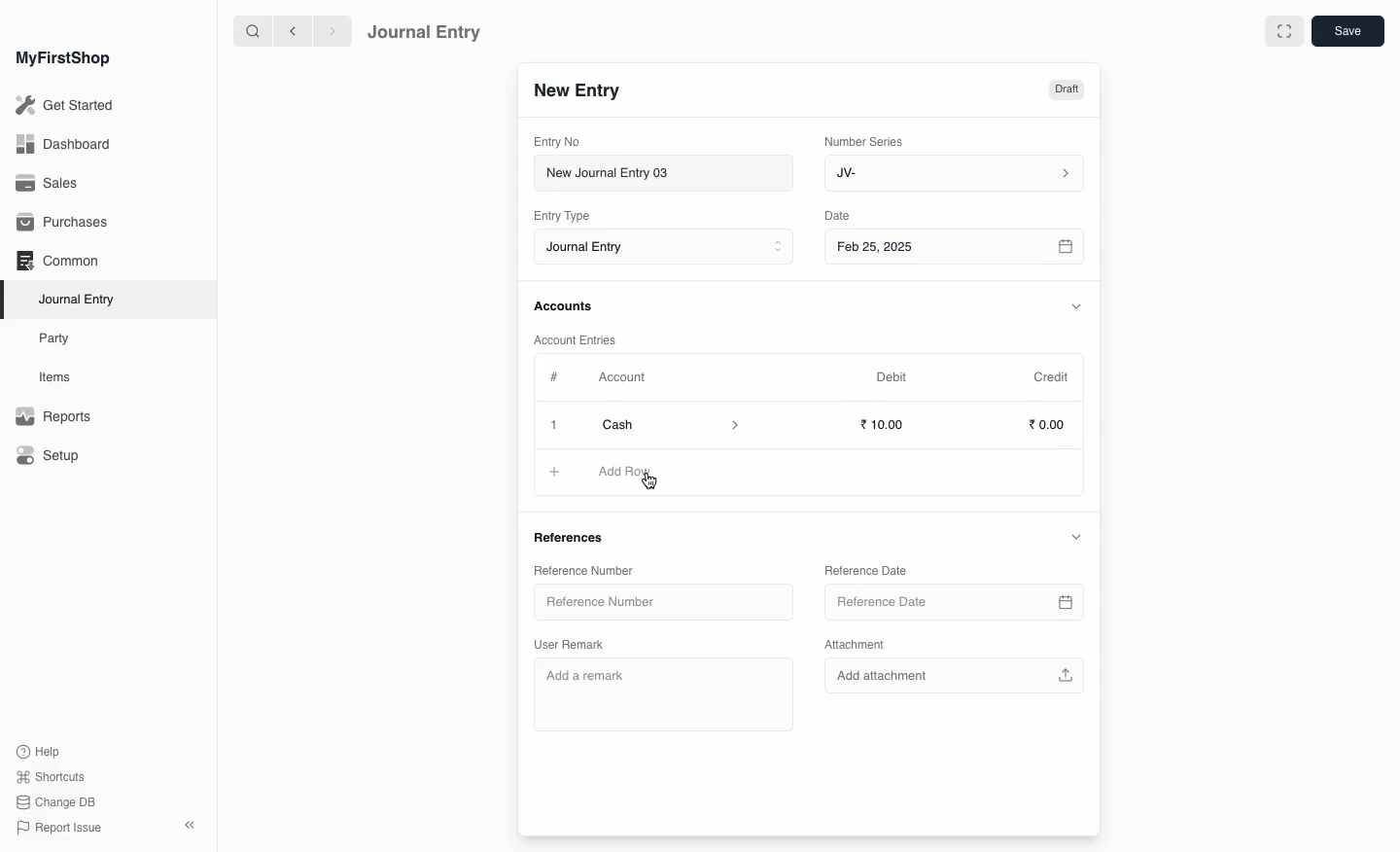 The image size is (1400, 852). I want to click on Add, so click(554, 473).